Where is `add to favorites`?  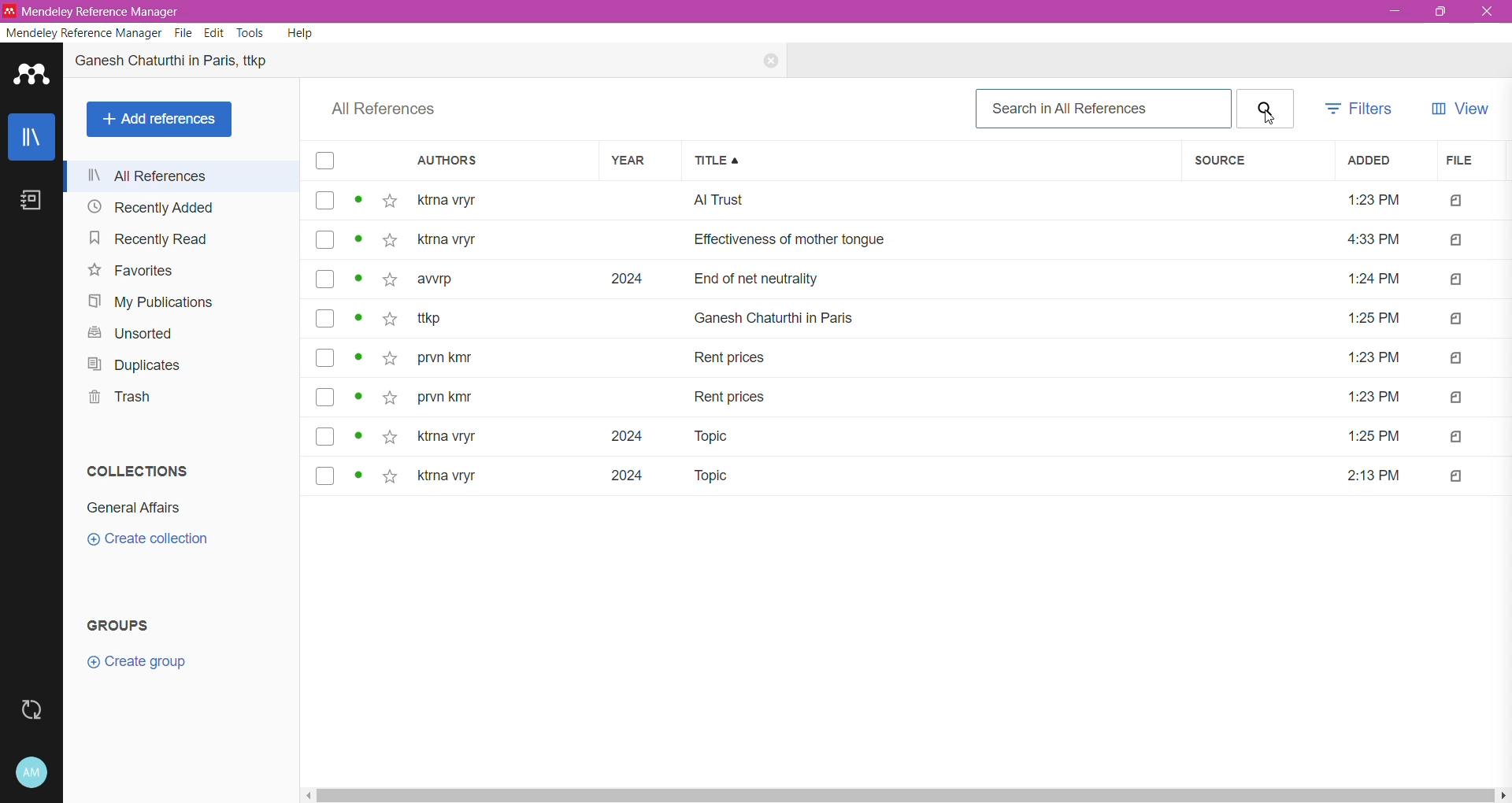
add to favorites is located at coordinates (388, 436).